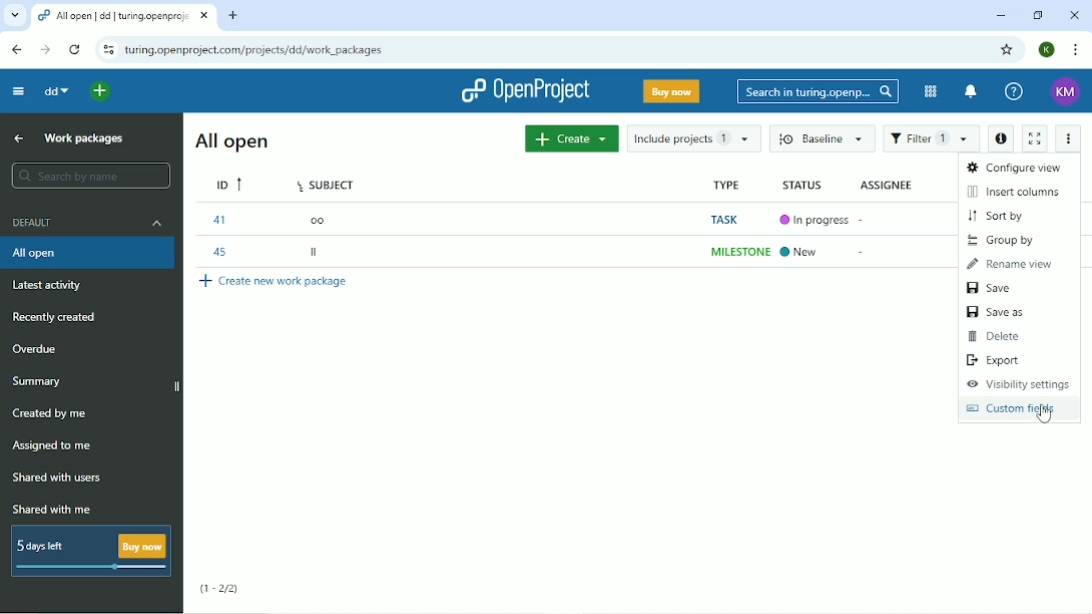 The height and width of the screenshot is (614, 1092). I want to click on Group by, so click(1007, 240).